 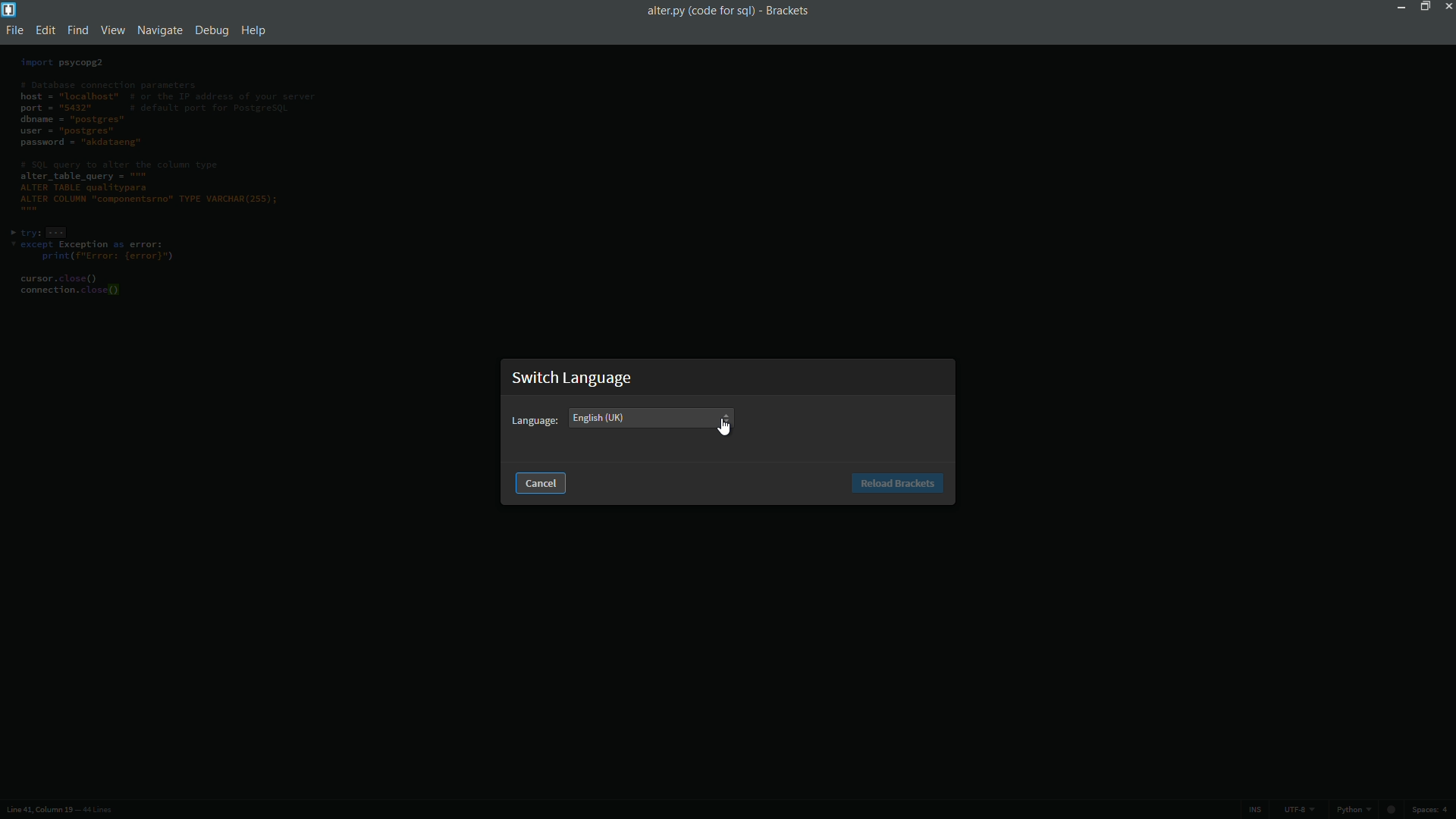 I want to click on Language, so click(x=536, y=420).